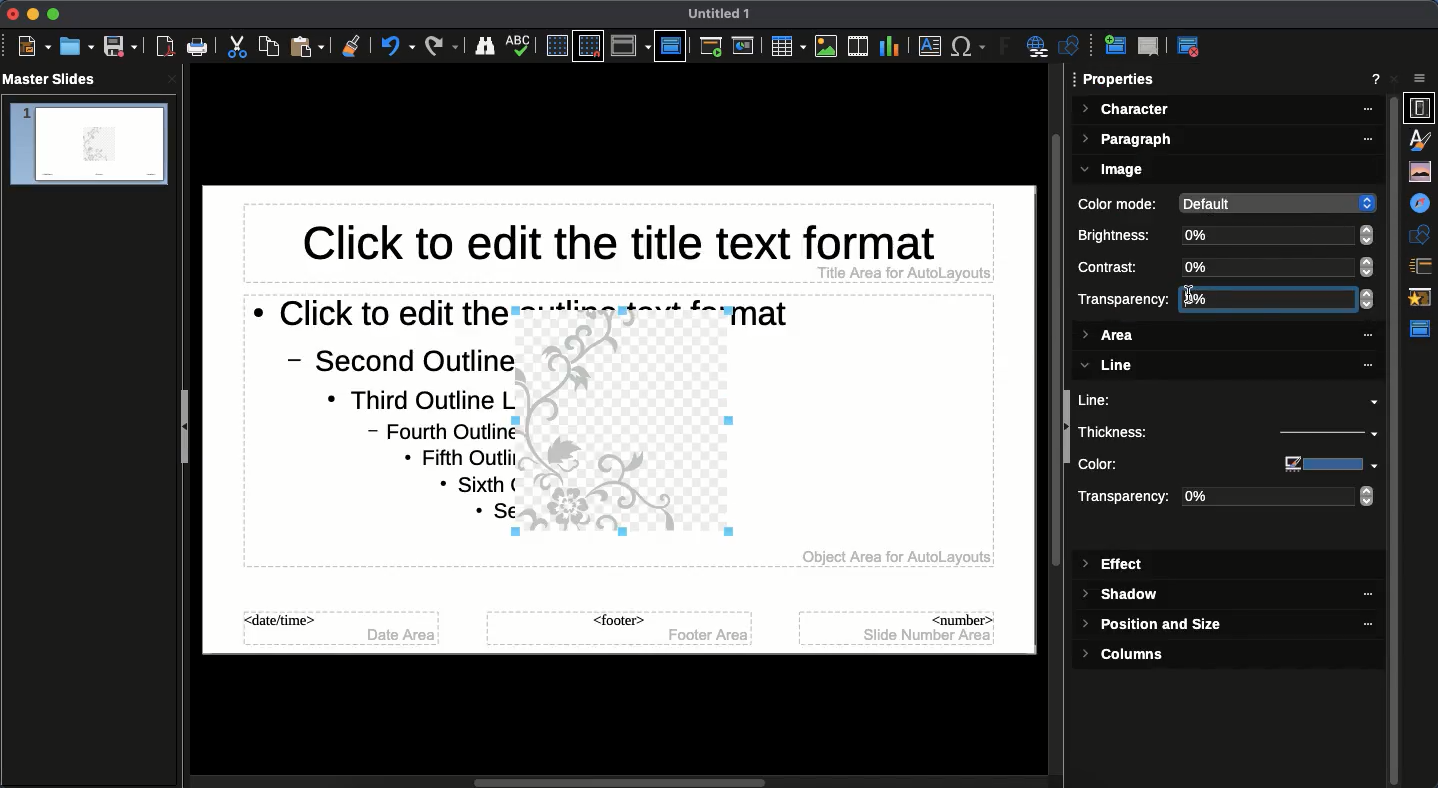 This screenshot has width=1438, height=788. Describe the element at coordinates (189, 429) in the screenshot. I see `Collapse` at that location.